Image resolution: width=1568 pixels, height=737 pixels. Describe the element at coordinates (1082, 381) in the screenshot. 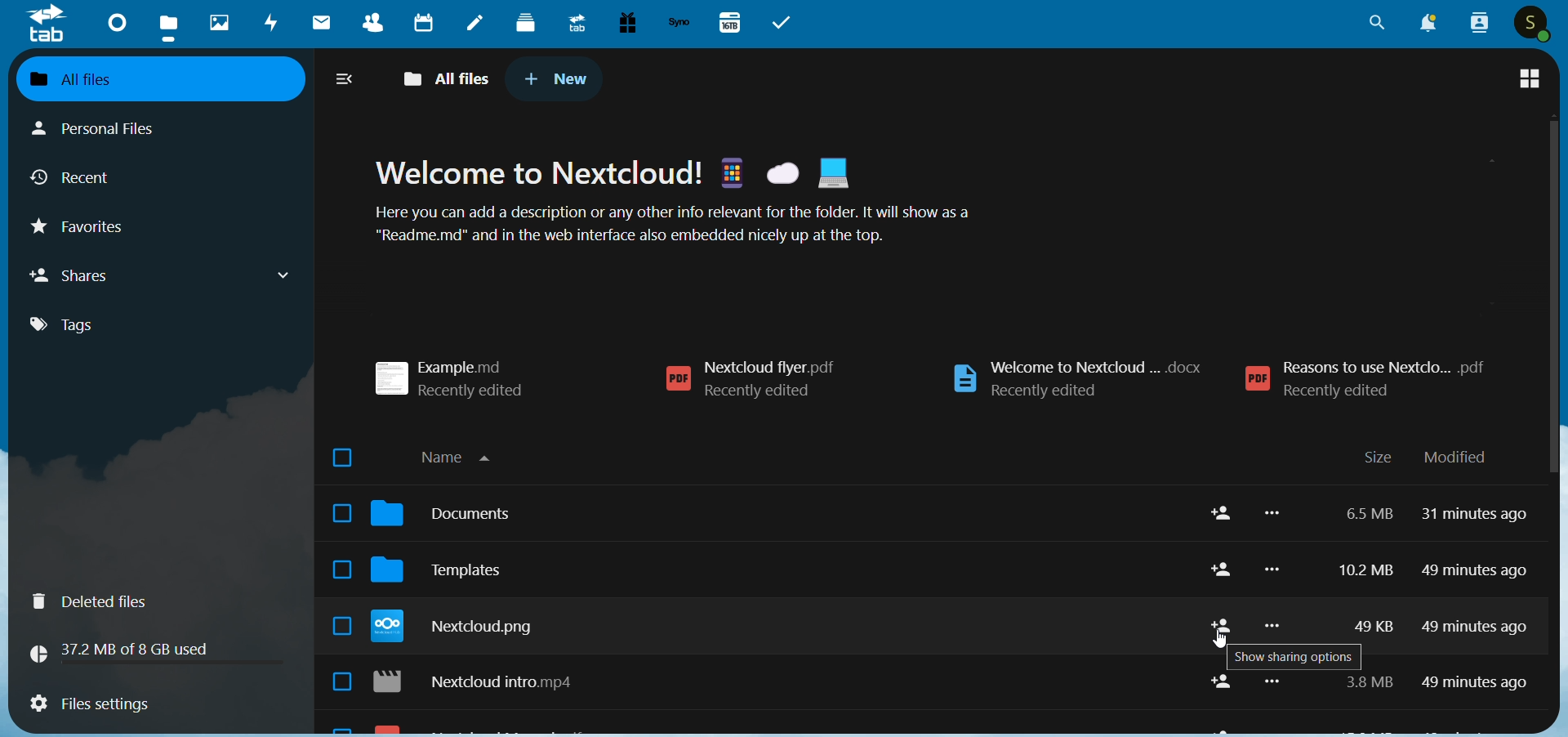

I see `welcome to nextcloud` at that location.